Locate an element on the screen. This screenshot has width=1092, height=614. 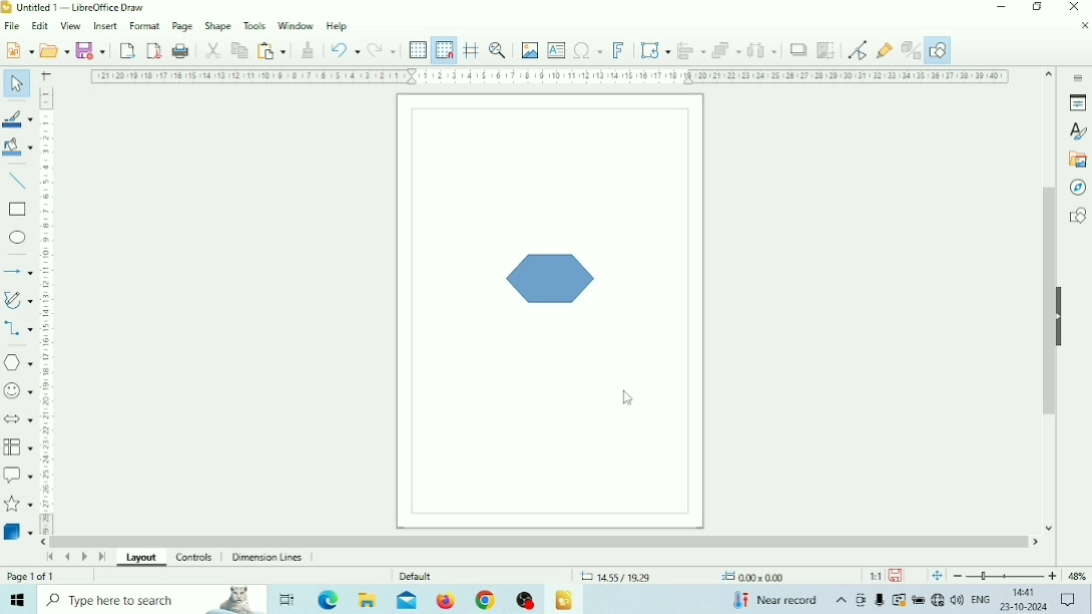
Select at least three objects to distribute is located at coordinates (762, 50).